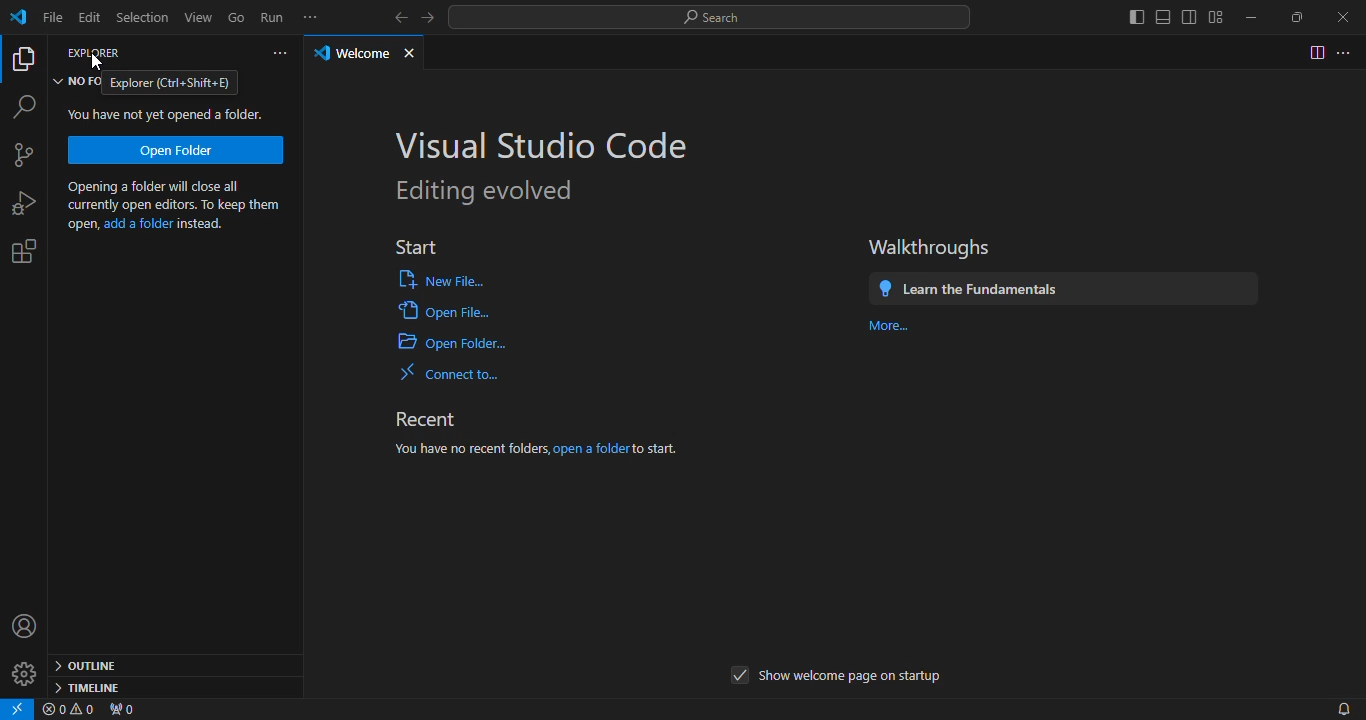 The width and height of the screenshot is (1366, 720). Describe the element at coordinates (92, 17) in the screenshot. I see `Edit` at that location.